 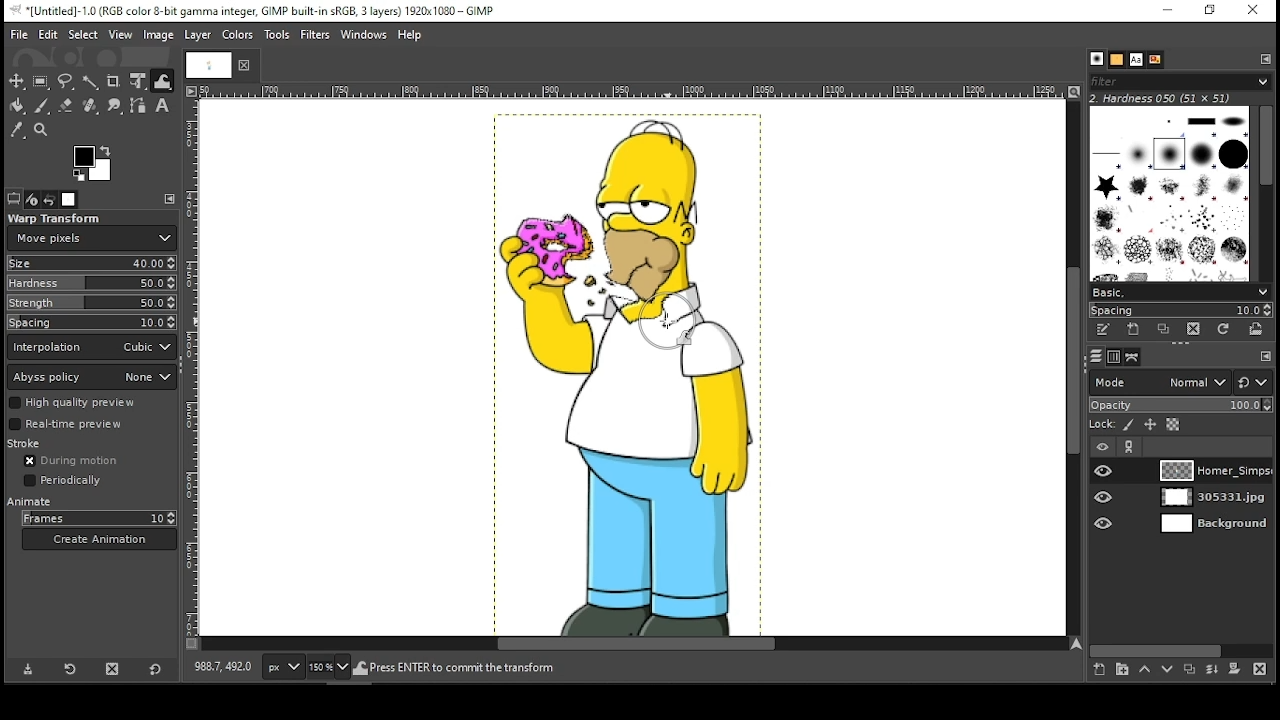 What do you see at coordinates (1215, 525) in the screenshot?
I see `layer 3` at bounding box center [1215, 525].